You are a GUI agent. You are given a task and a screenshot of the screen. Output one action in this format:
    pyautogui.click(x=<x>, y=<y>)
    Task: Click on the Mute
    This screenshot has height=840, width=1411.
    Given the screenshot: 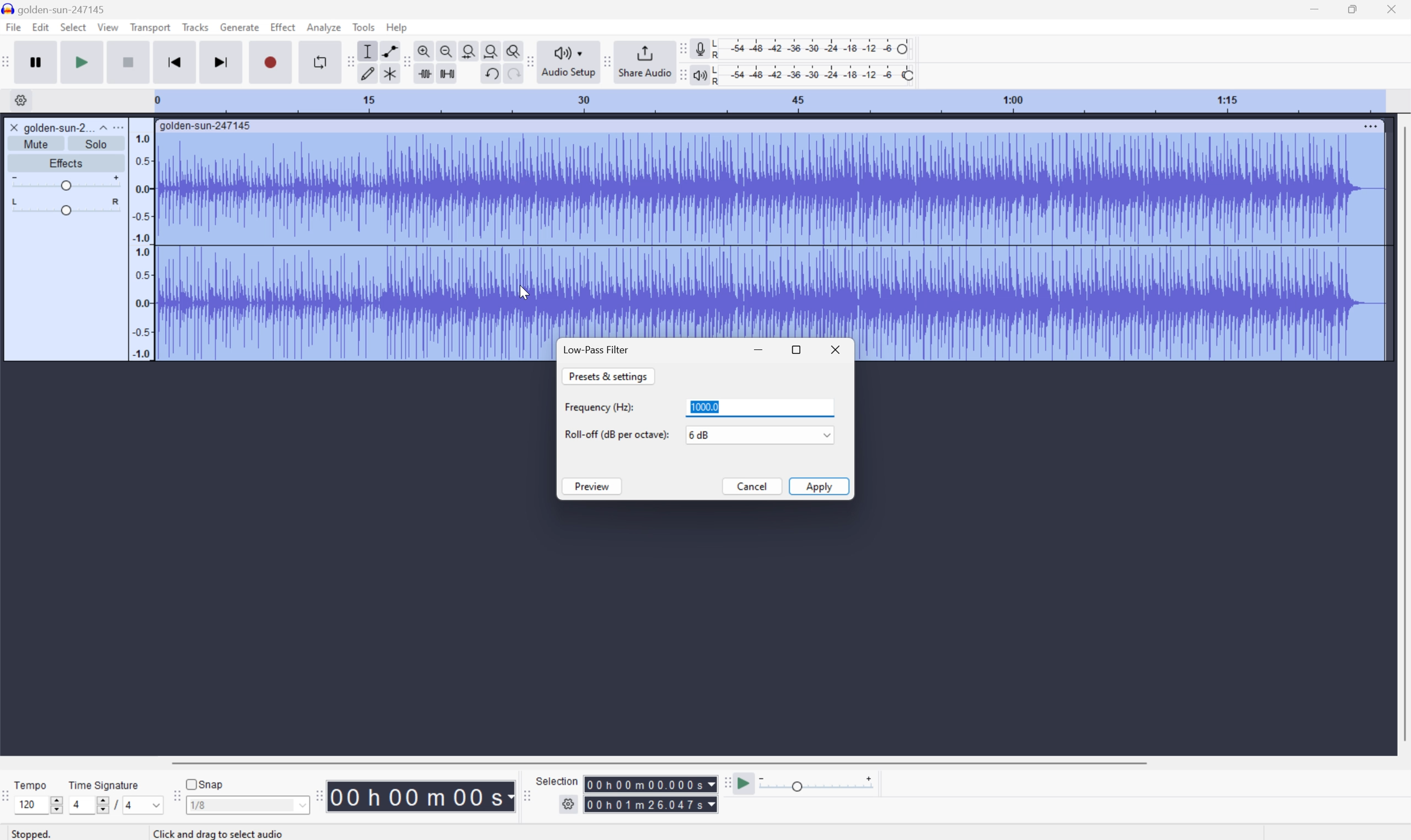 What is the action you would take?
    pyautogui.click(x=36, y=144)
    